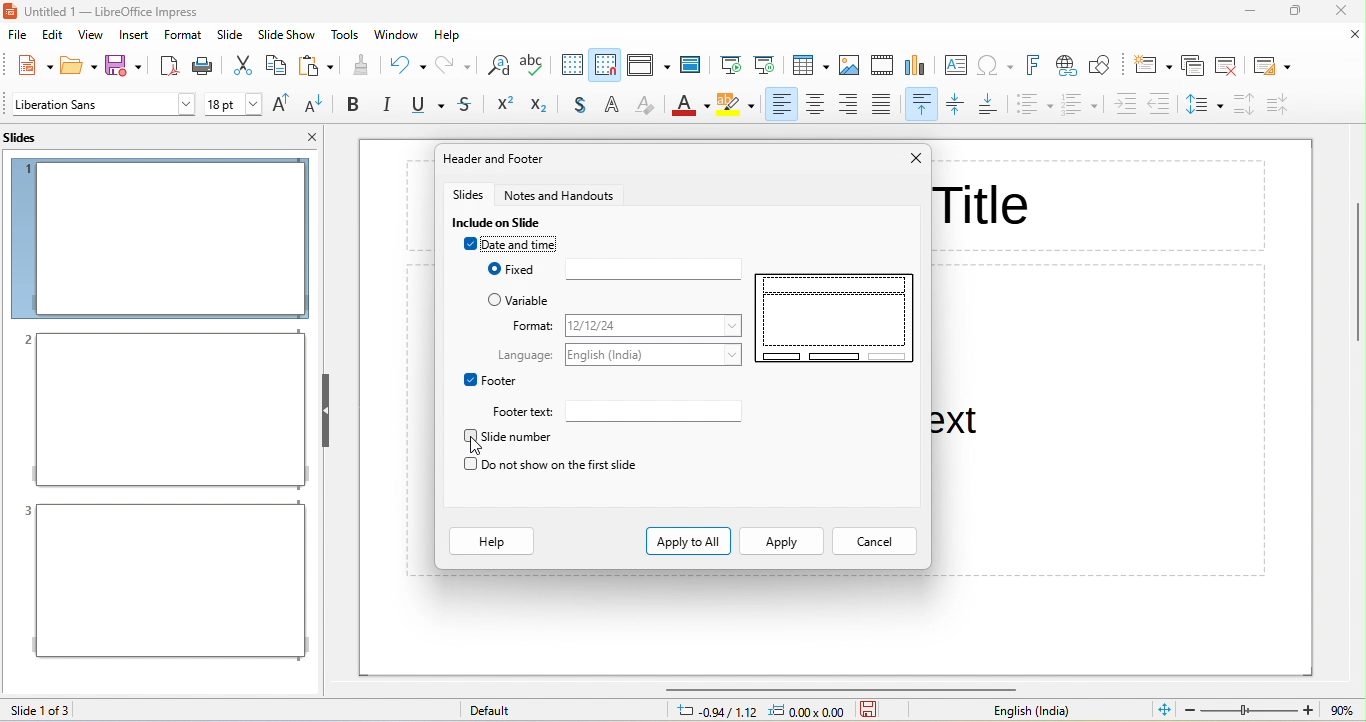  I want to click on clone formatting, so click(361, 65).